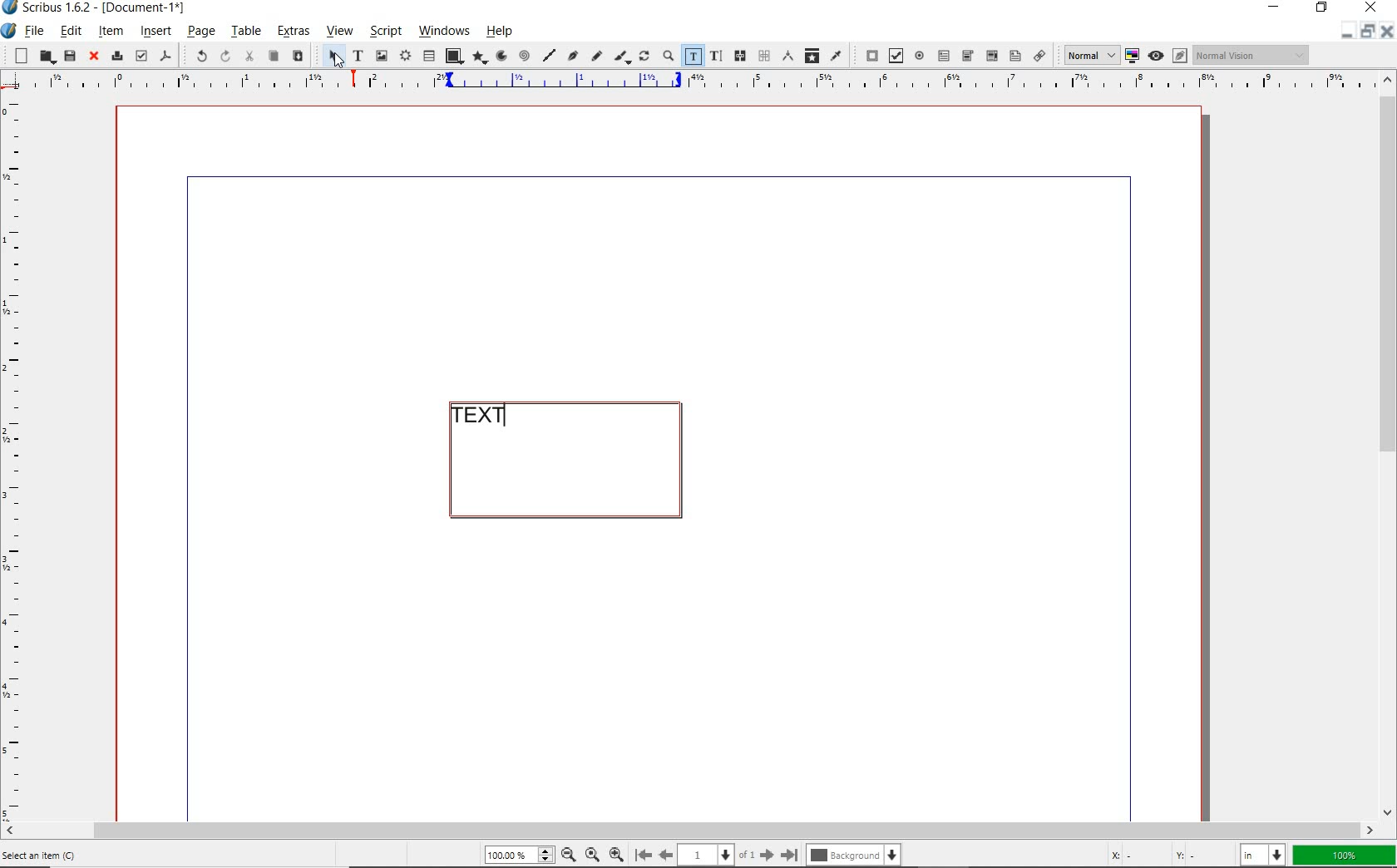  I want to click on copy item properties, so click(811, 55).